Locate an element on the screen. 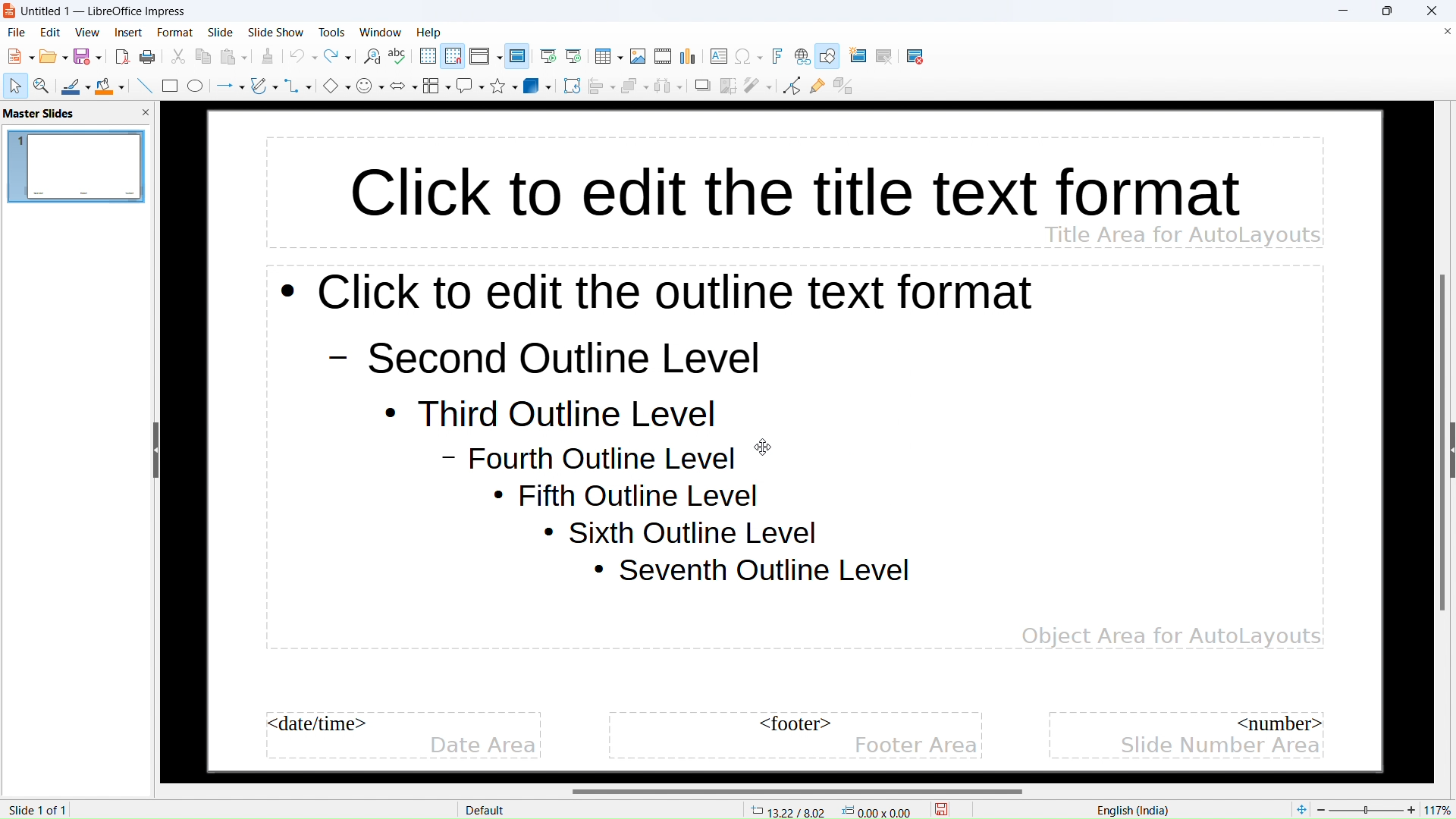 The width and height of the screenshot is (1456, 819). symbol shapes is located at coordinates (370, 86).